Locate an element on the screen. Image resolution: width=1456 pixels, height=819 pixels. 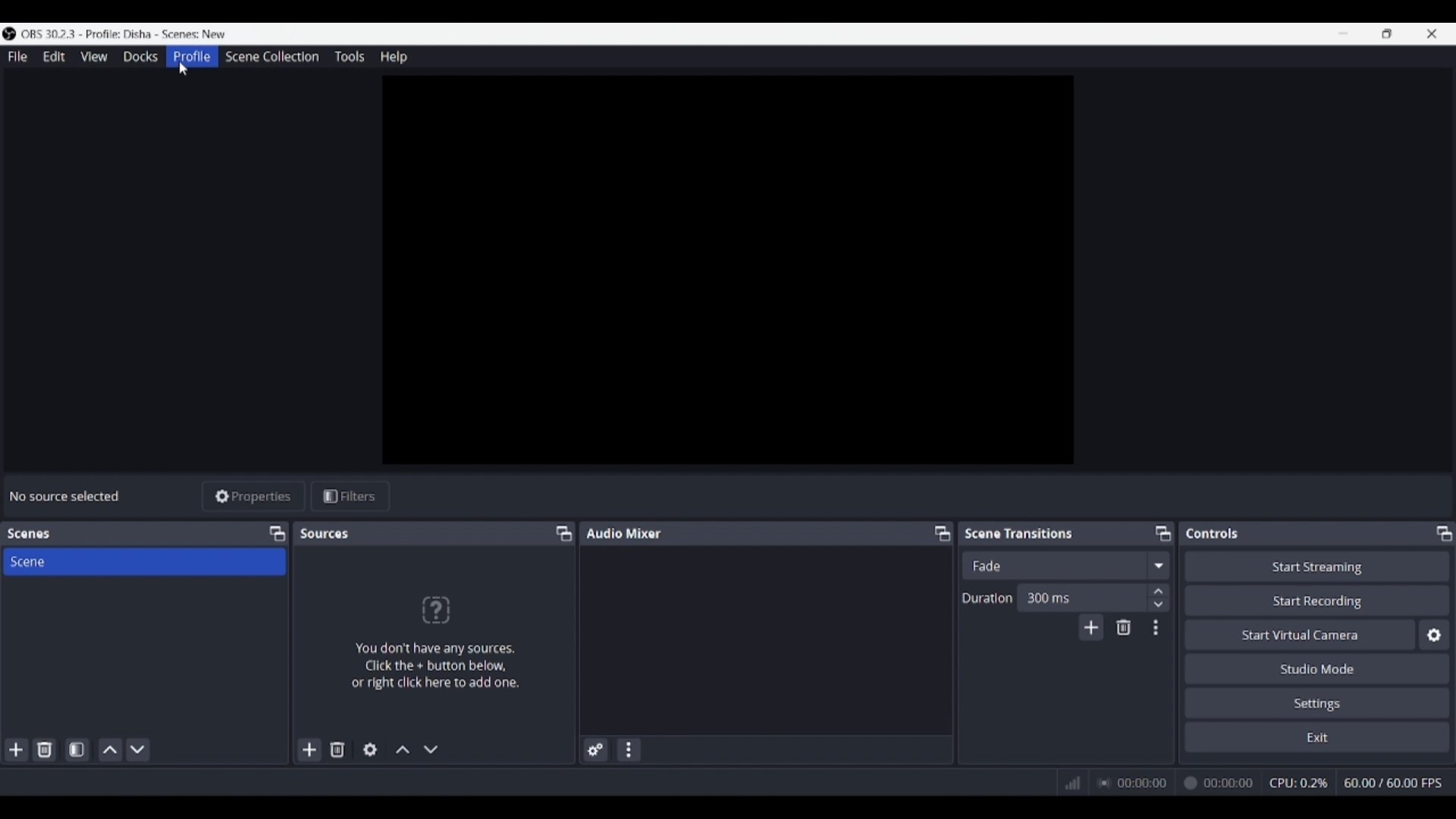
Panel title is located at coordinates (1019, 532).